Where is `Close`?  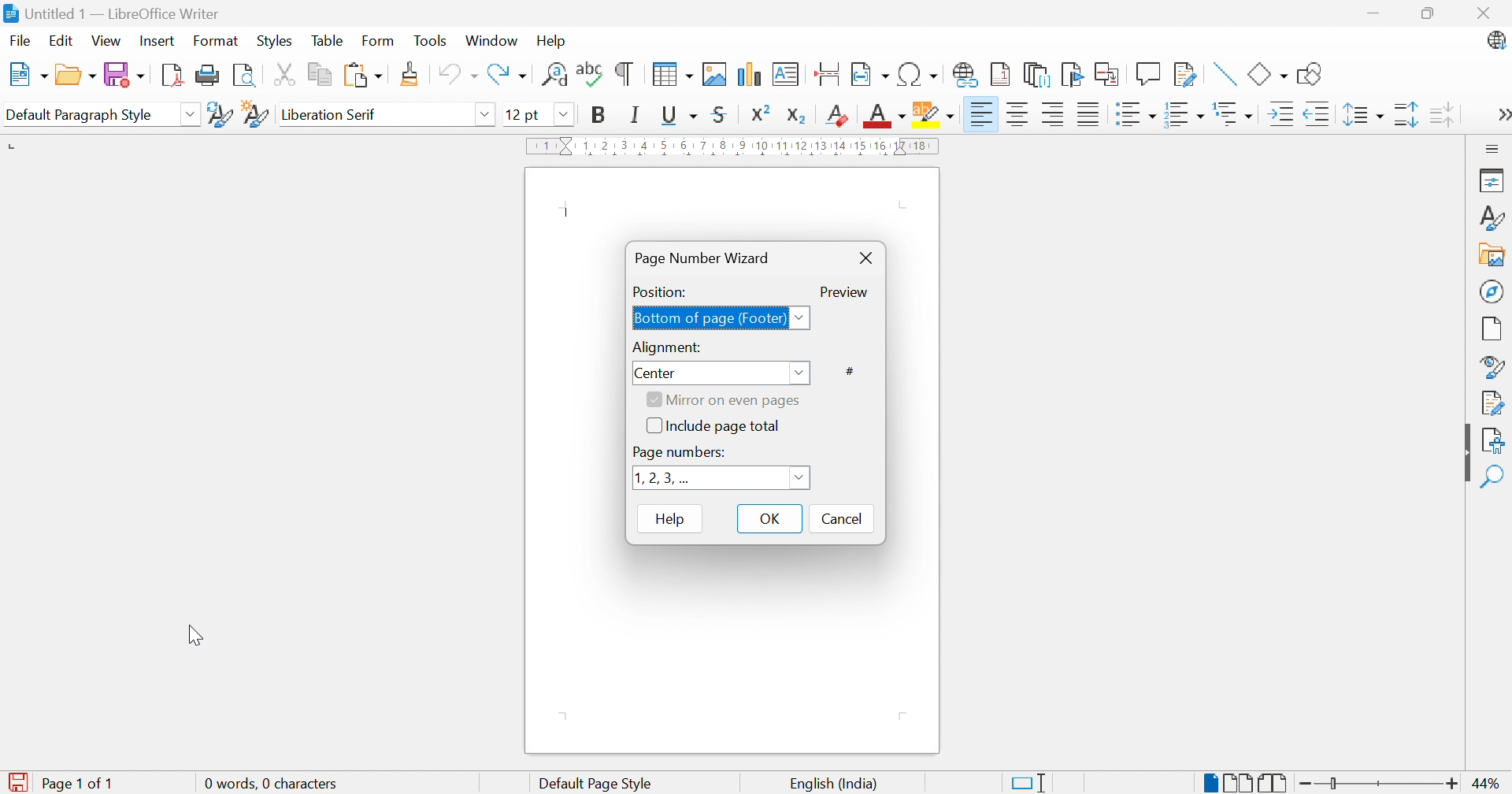 Close is located at coordinates (867, 260).